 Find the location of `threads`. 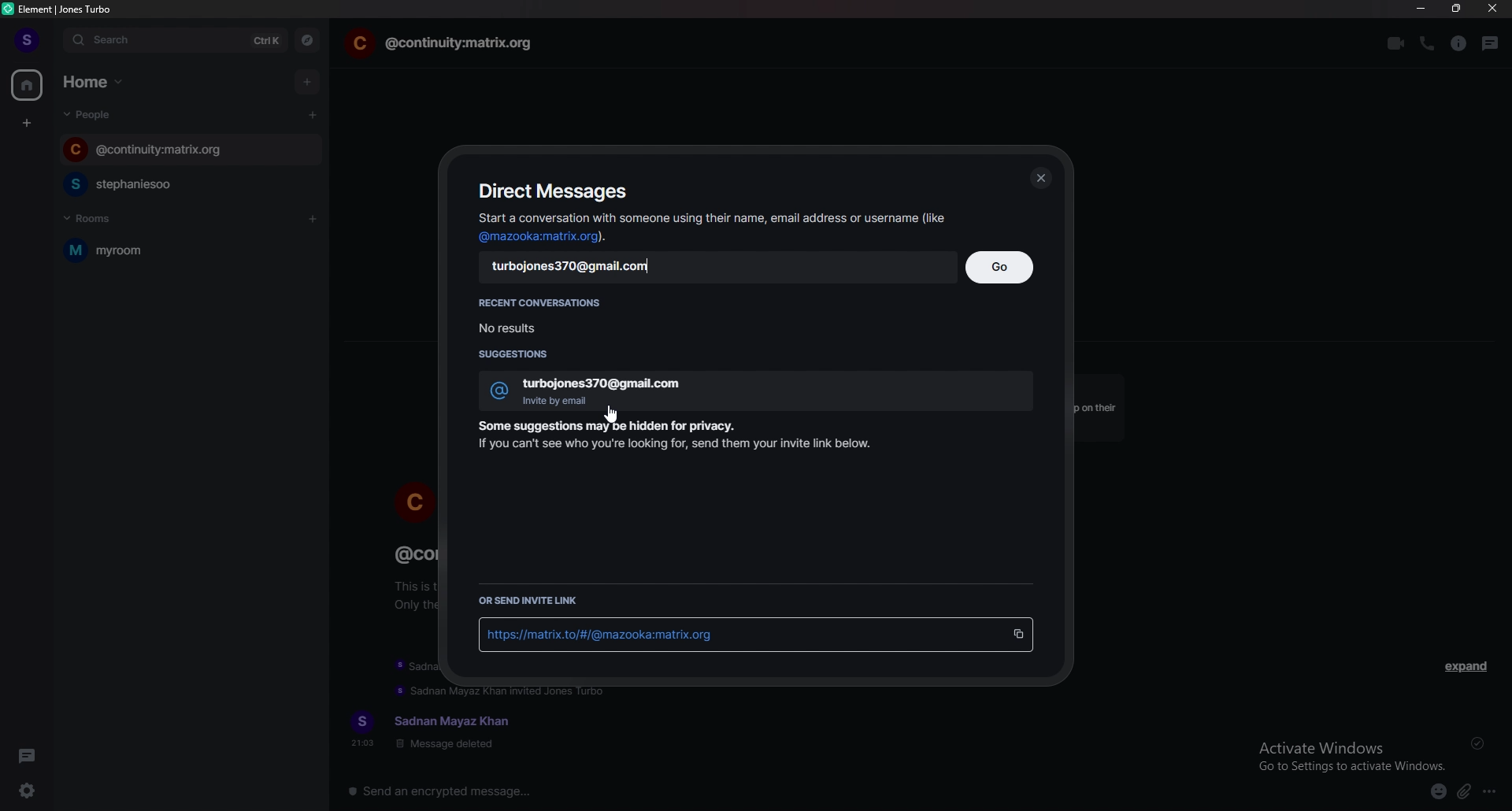

threads is located at coordinates (1491, 43).